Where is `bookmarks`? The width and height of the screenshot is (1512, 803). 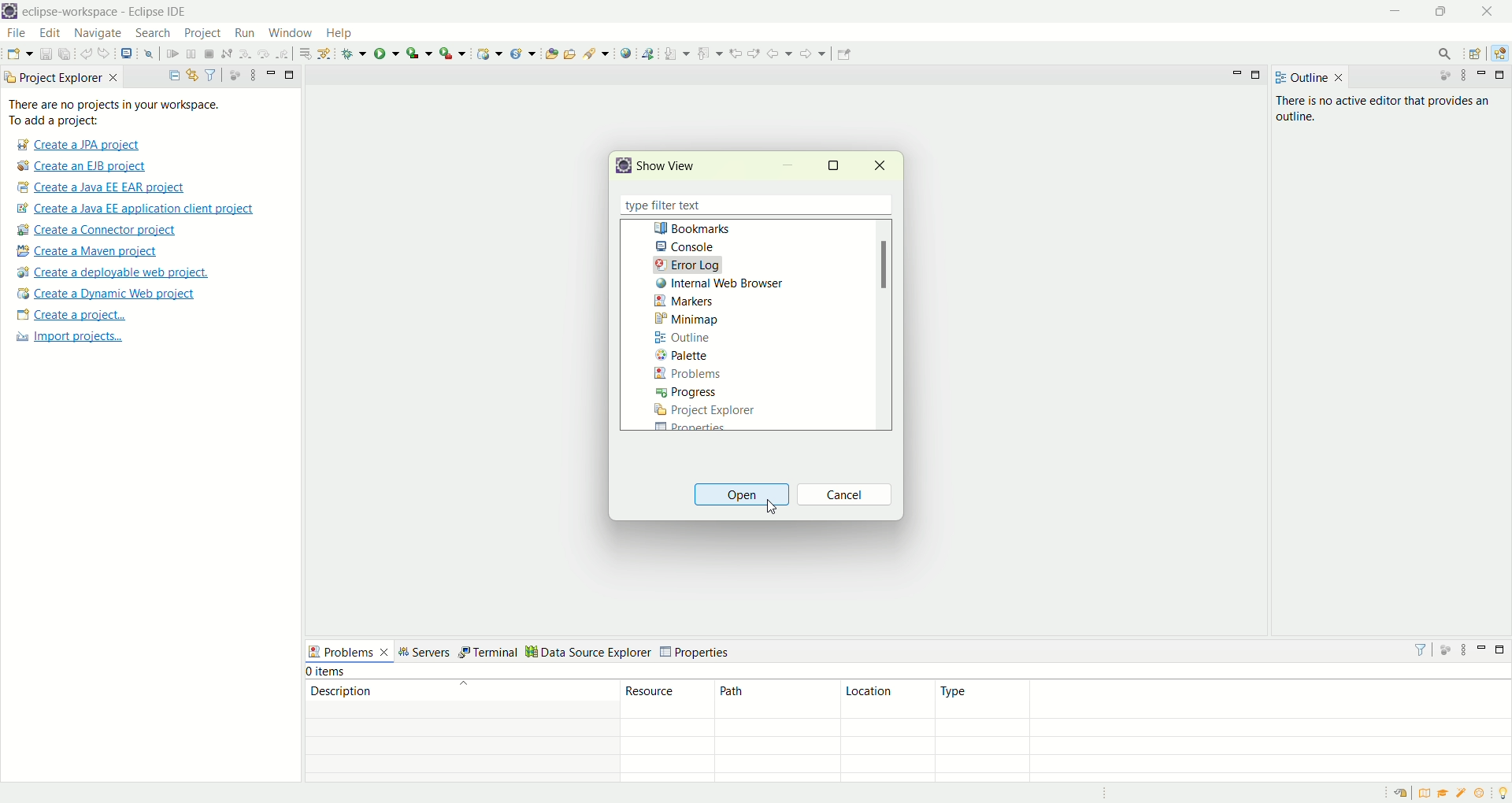
bookmarks is located at coordinates (692, 229).